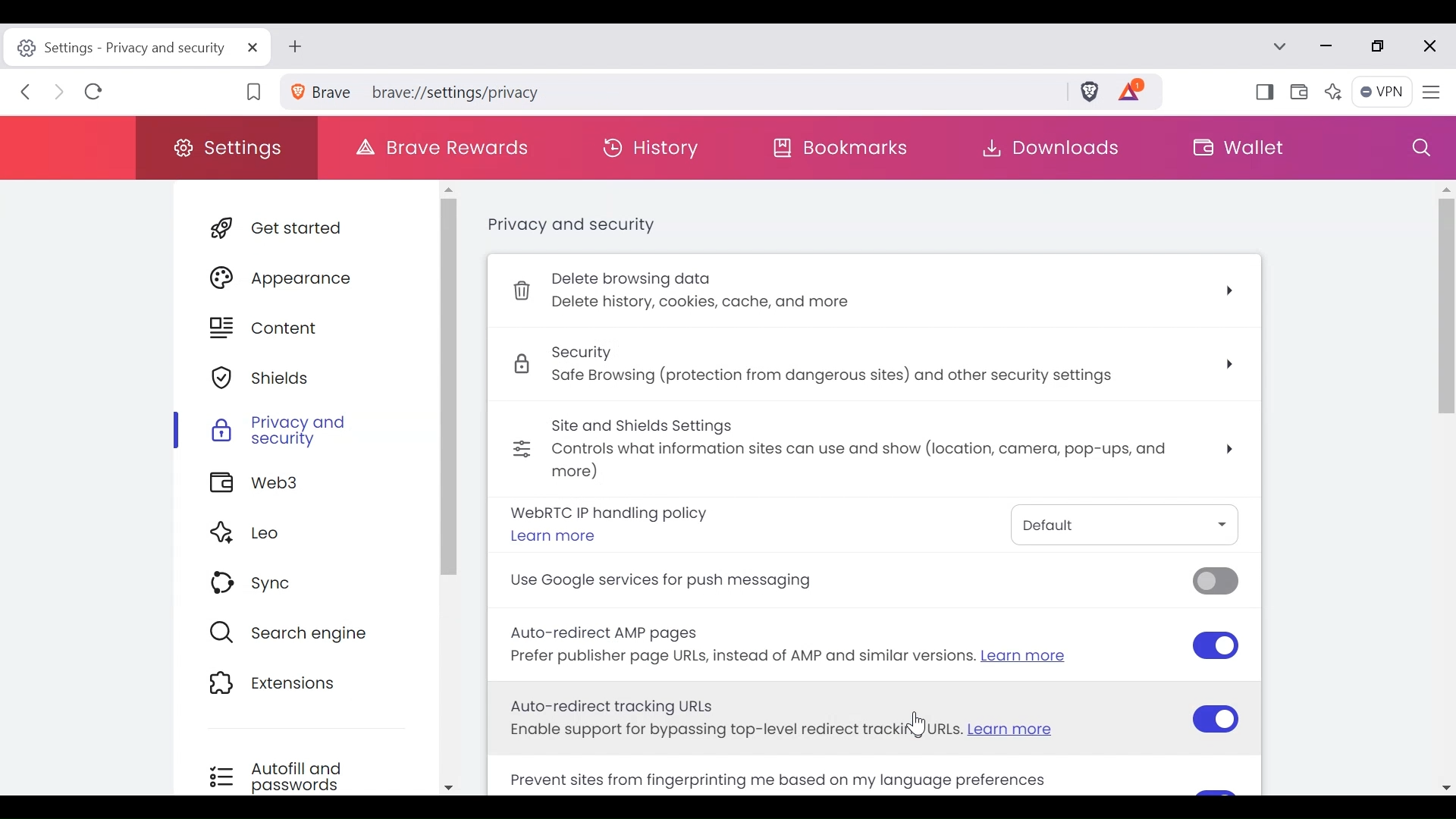 The width and height of the screenshot is (1456, 819). What do you see at coordinates (303, 379) in the screenshot?
I see `Shield` at bounding box center [303, 379].